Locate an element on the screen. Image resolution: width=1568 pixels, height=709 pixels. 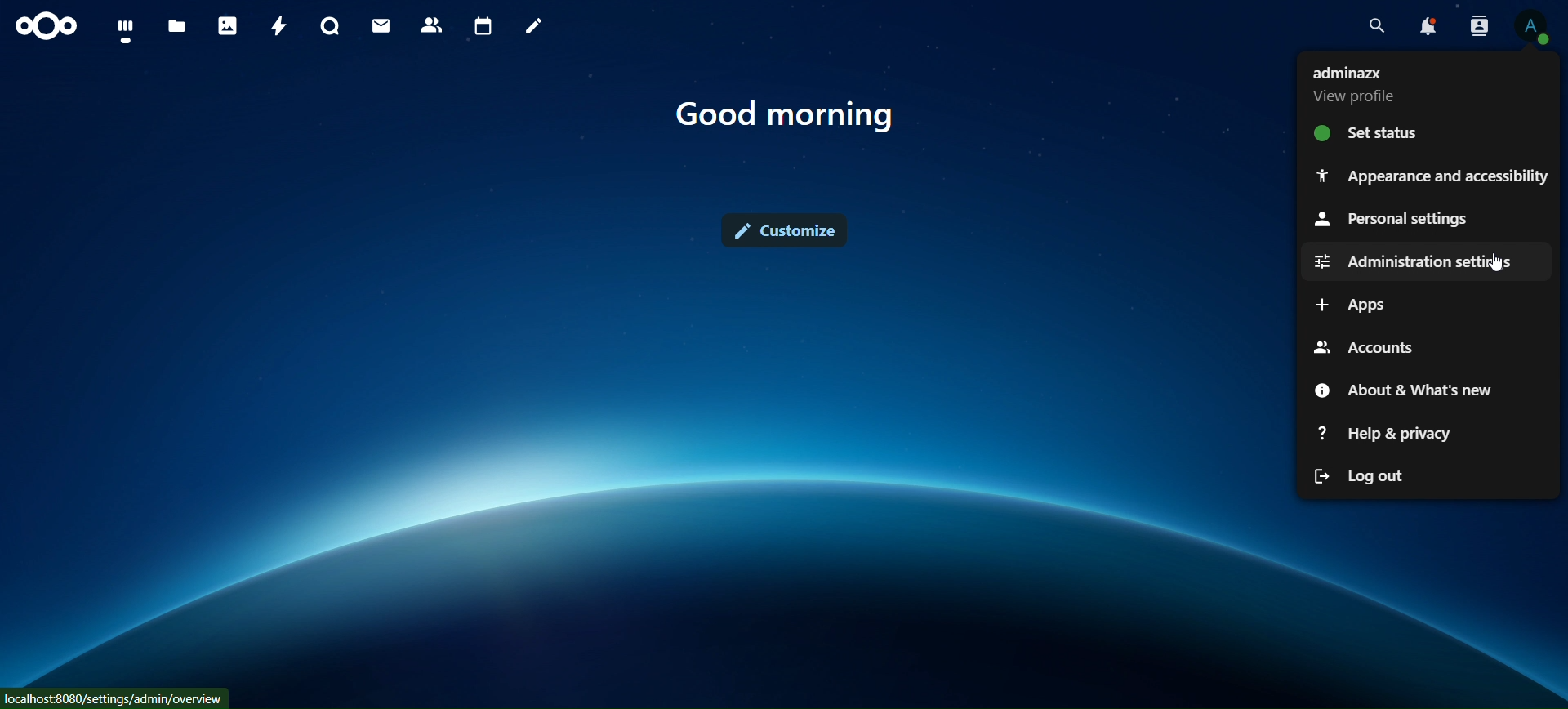
customize is located at coordinates (788, 231).